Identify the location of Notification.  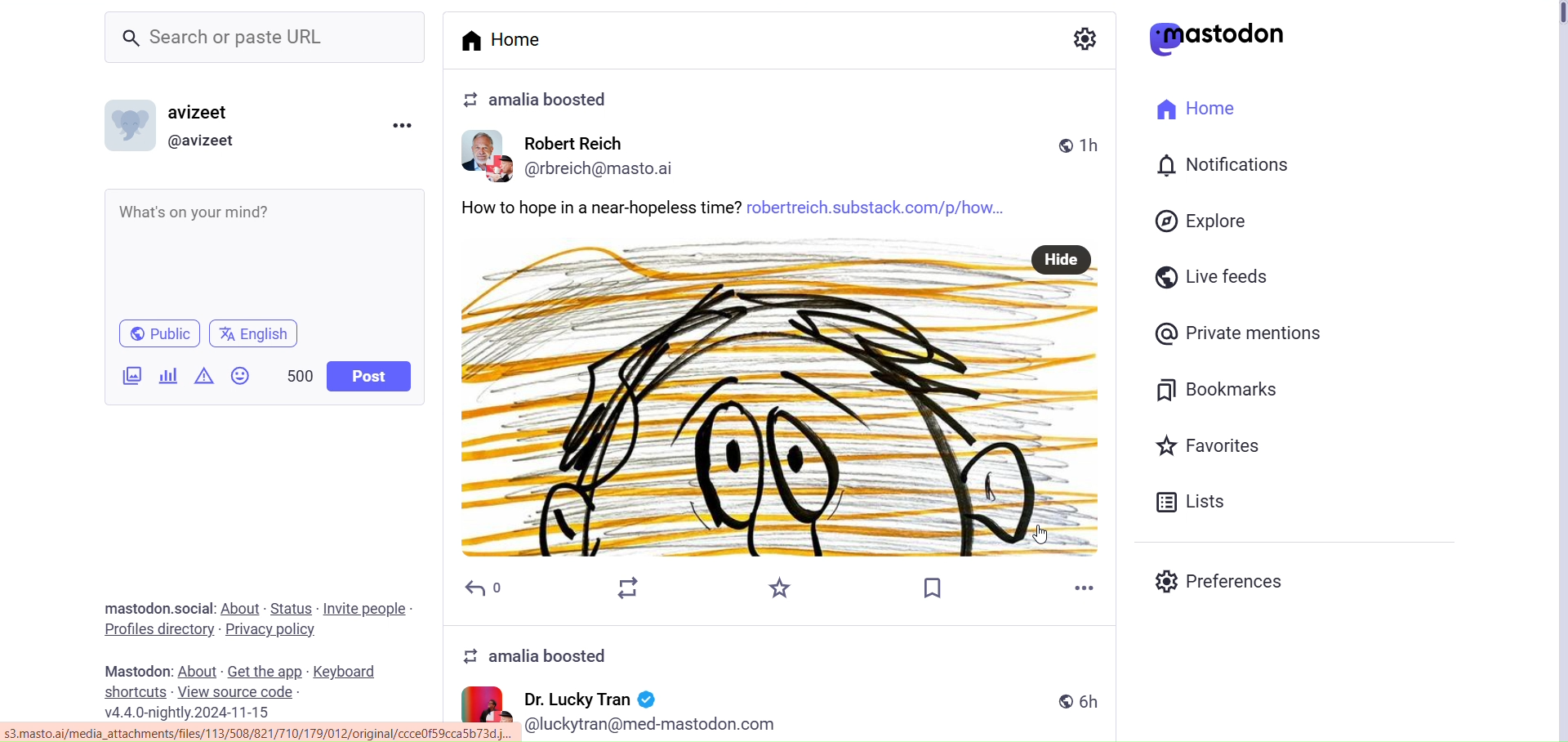
(1222, 165).